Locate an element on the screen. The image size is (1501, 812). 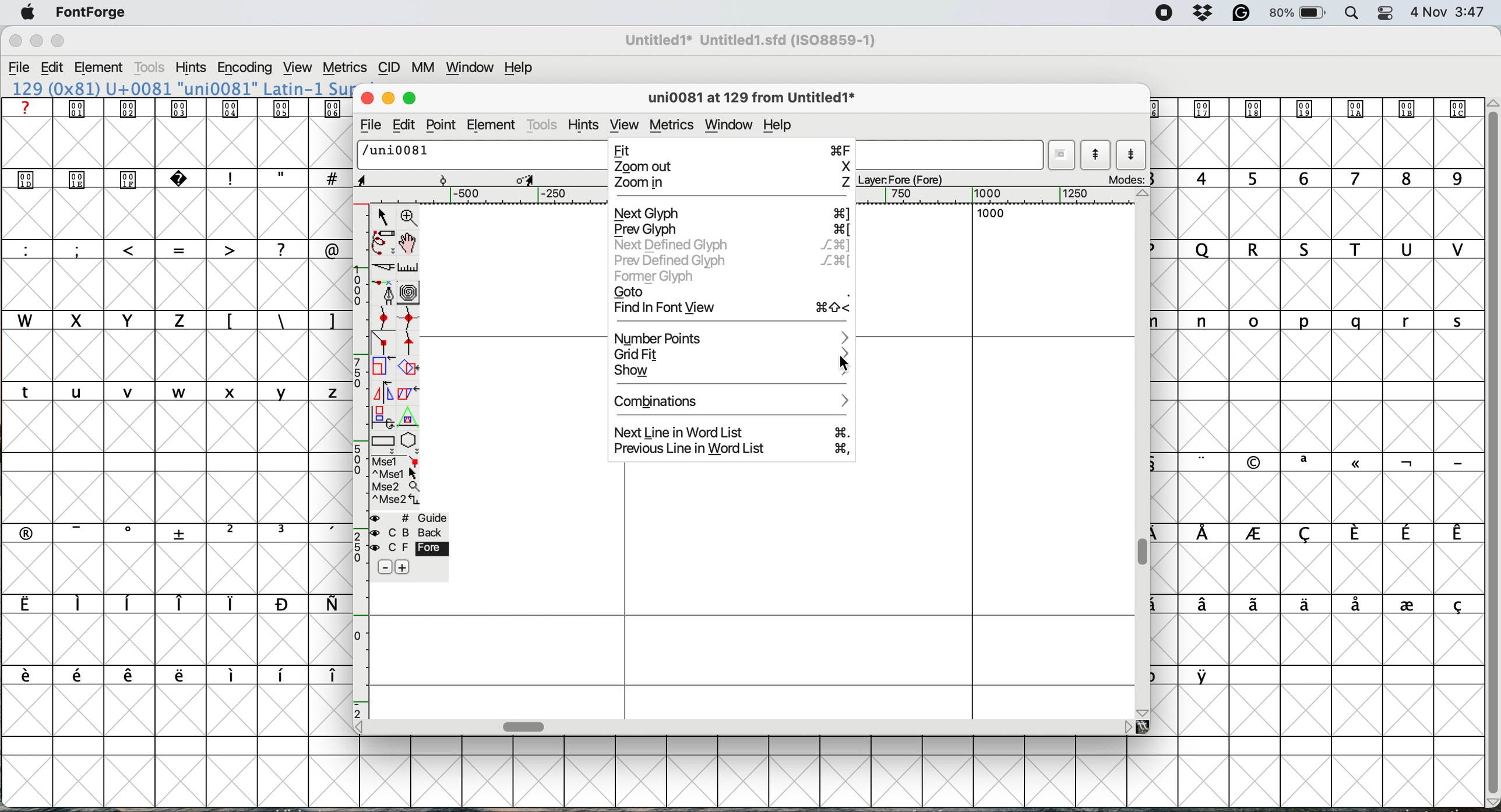
metrics is located at coordinates (672, 125).